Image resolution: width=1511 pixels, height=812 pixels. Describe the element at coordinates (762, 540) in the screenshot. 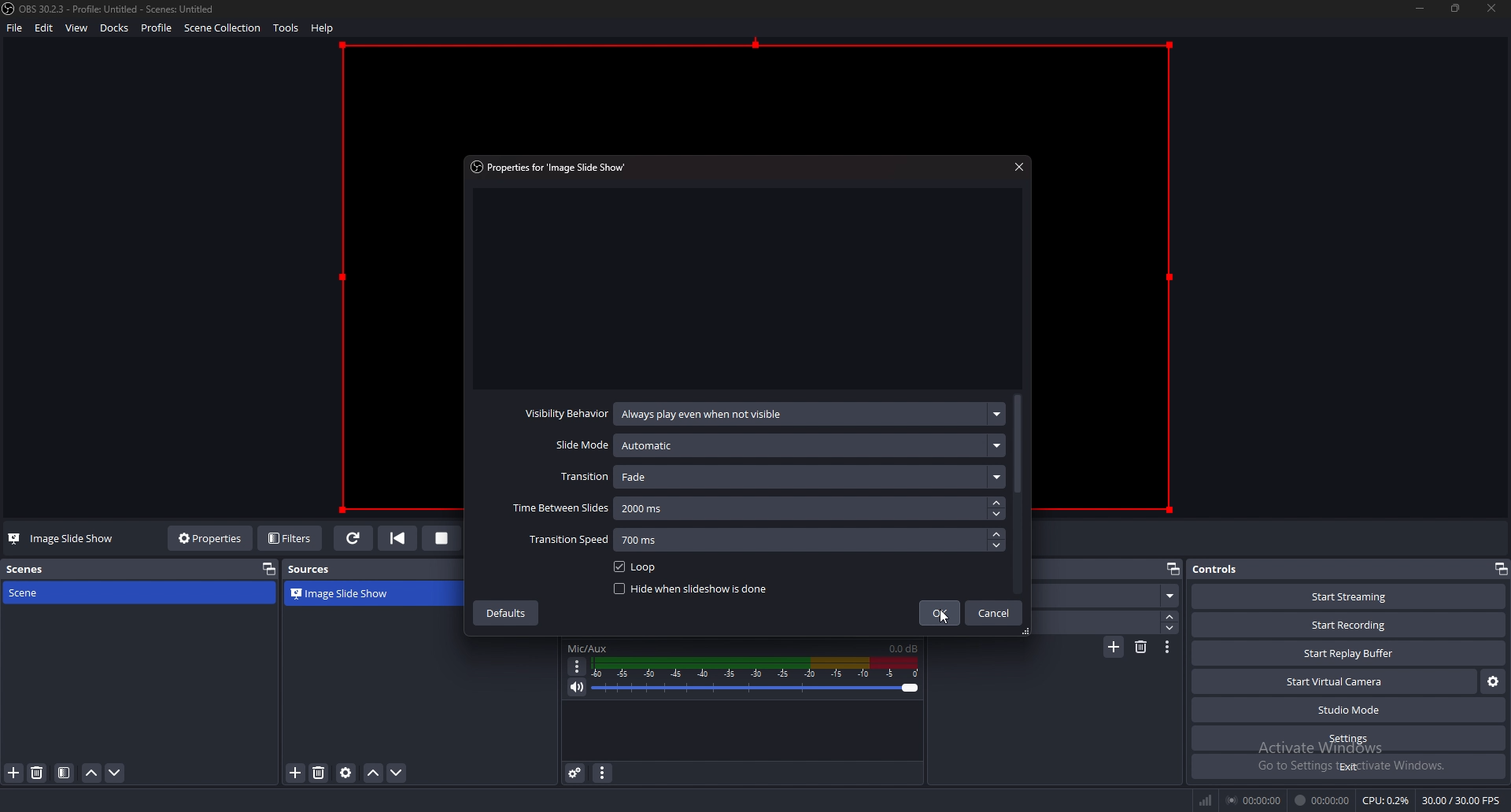

I see `transition speed` at that location.